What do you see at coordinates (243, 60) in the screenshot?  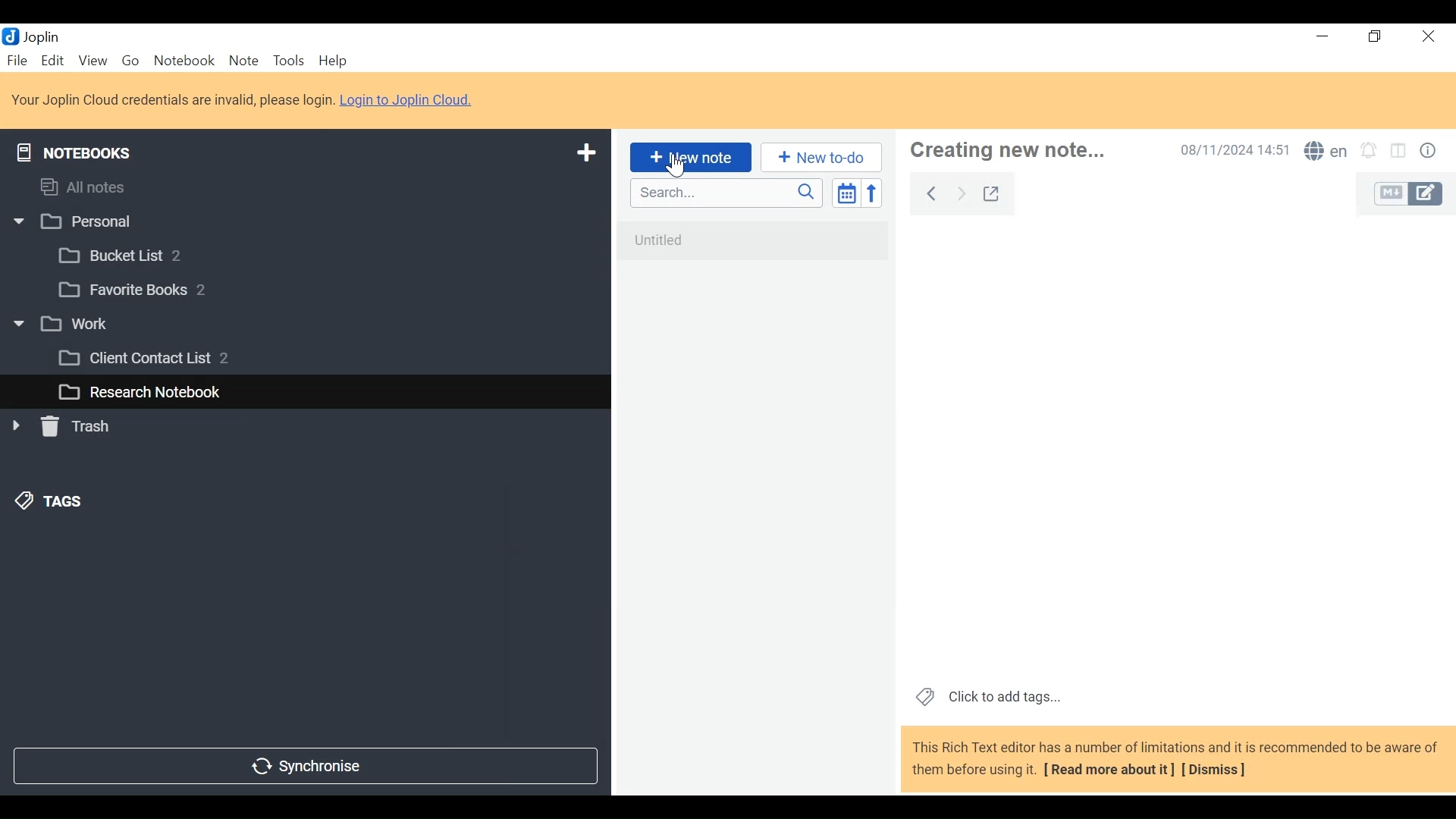 I see `Note` at bounding box center [243, 60].